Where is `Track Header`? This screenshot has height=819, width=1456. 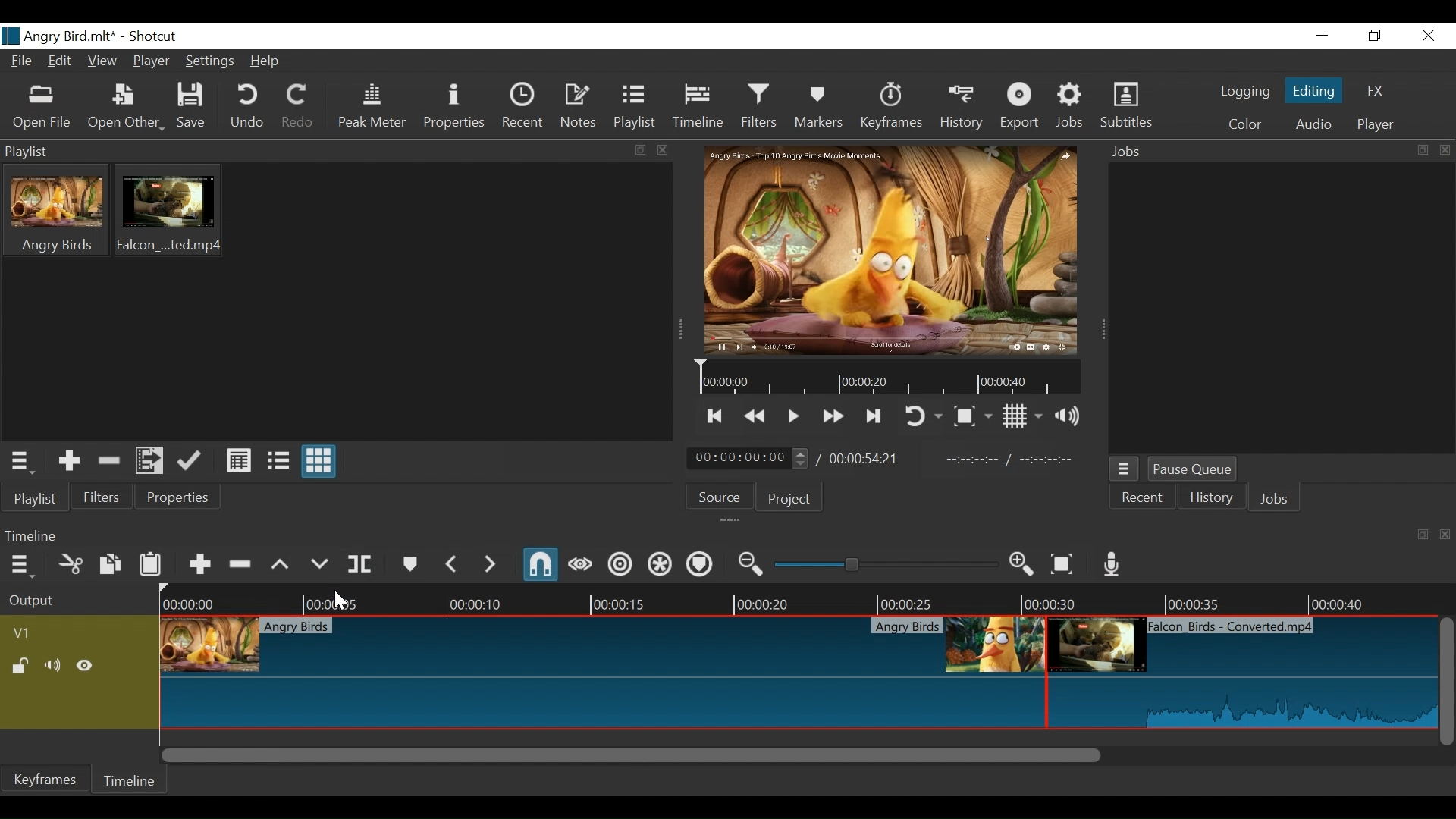
Track Header is located at coordinates (28, 634).